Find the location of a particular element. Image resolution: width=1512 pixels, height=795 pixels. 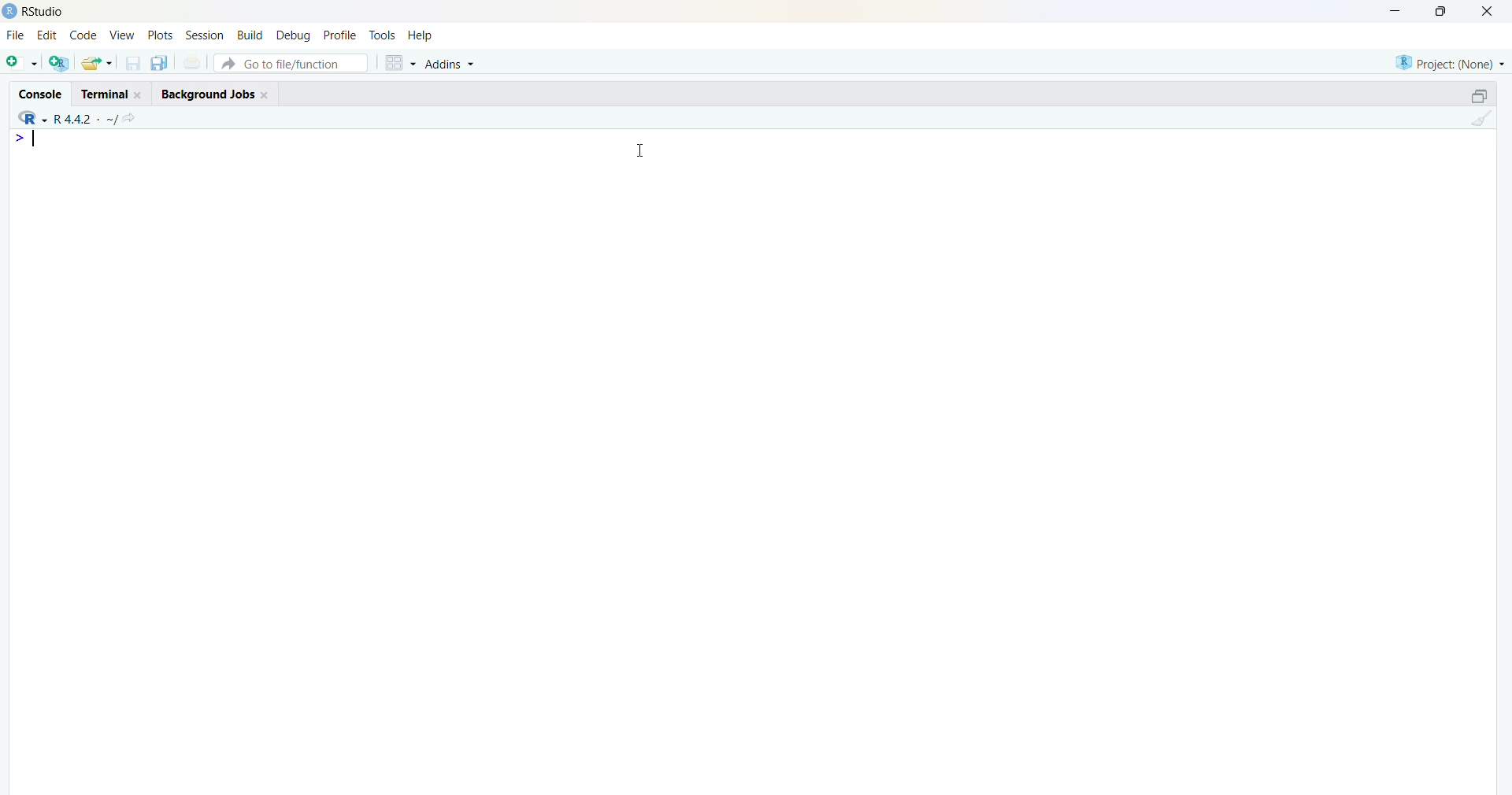

Session is located at coordinates (205, 35).